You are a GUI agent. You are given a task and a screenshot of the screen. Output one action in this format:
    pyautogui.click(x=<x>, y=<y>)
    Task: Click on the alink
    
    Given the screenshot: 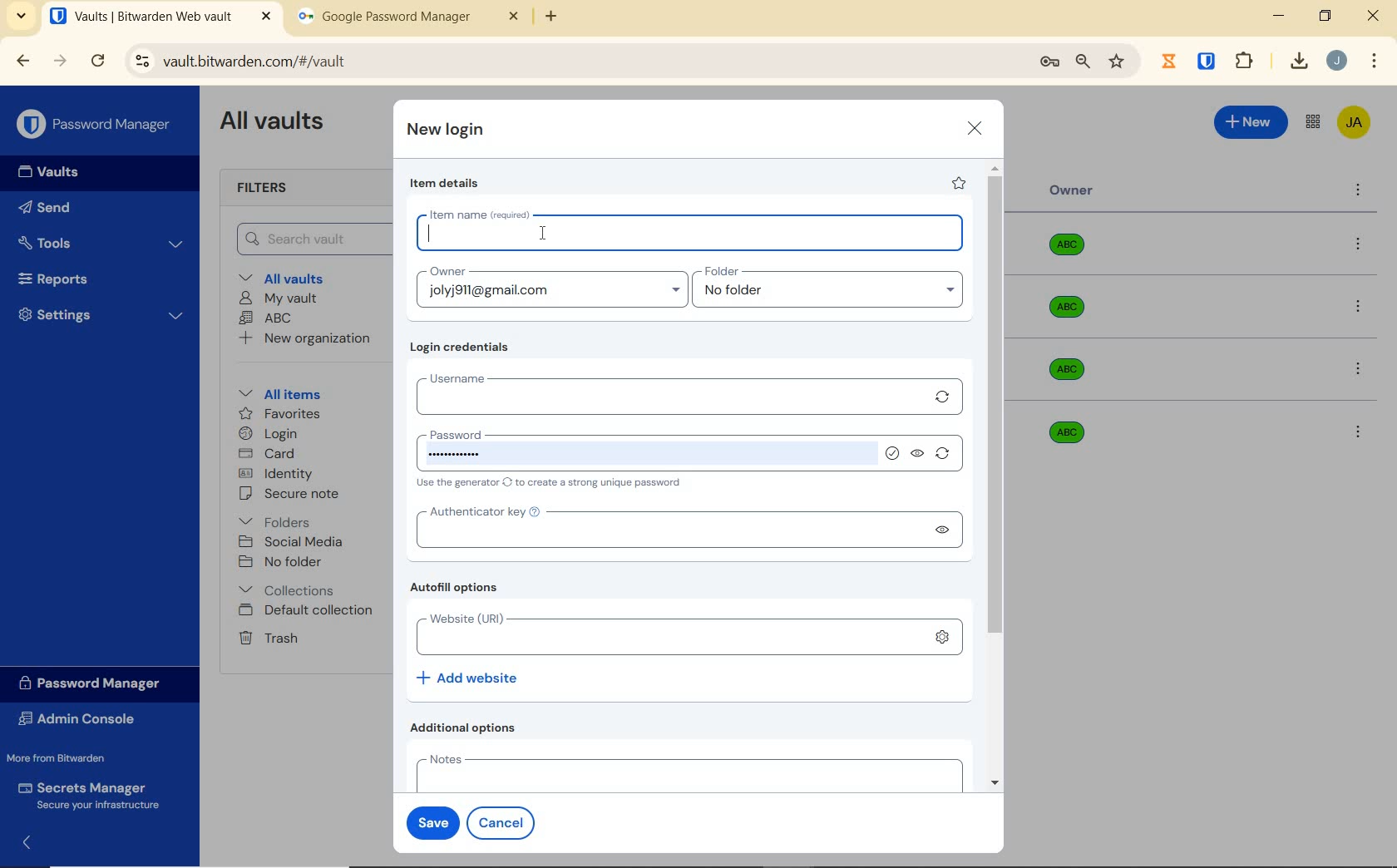 What is the action you would take?
    pyautogui.click(x=944, y=634)
    